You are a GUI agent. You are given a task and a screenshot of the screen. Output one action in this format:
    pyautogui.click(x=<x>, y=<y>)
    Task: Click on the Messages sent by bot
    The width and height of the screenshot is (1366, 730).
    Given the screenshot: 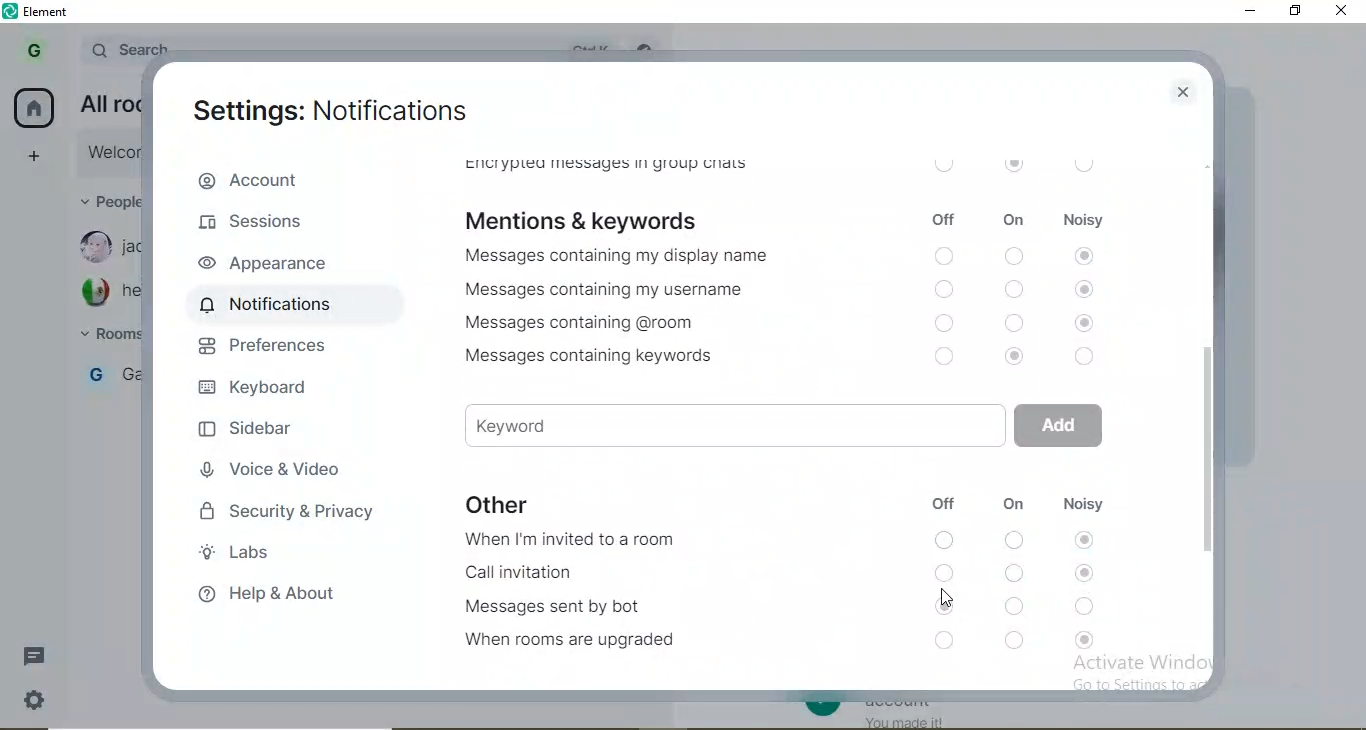 What is the action you would take?
    pyautogui.click(x=552, y=606)
    